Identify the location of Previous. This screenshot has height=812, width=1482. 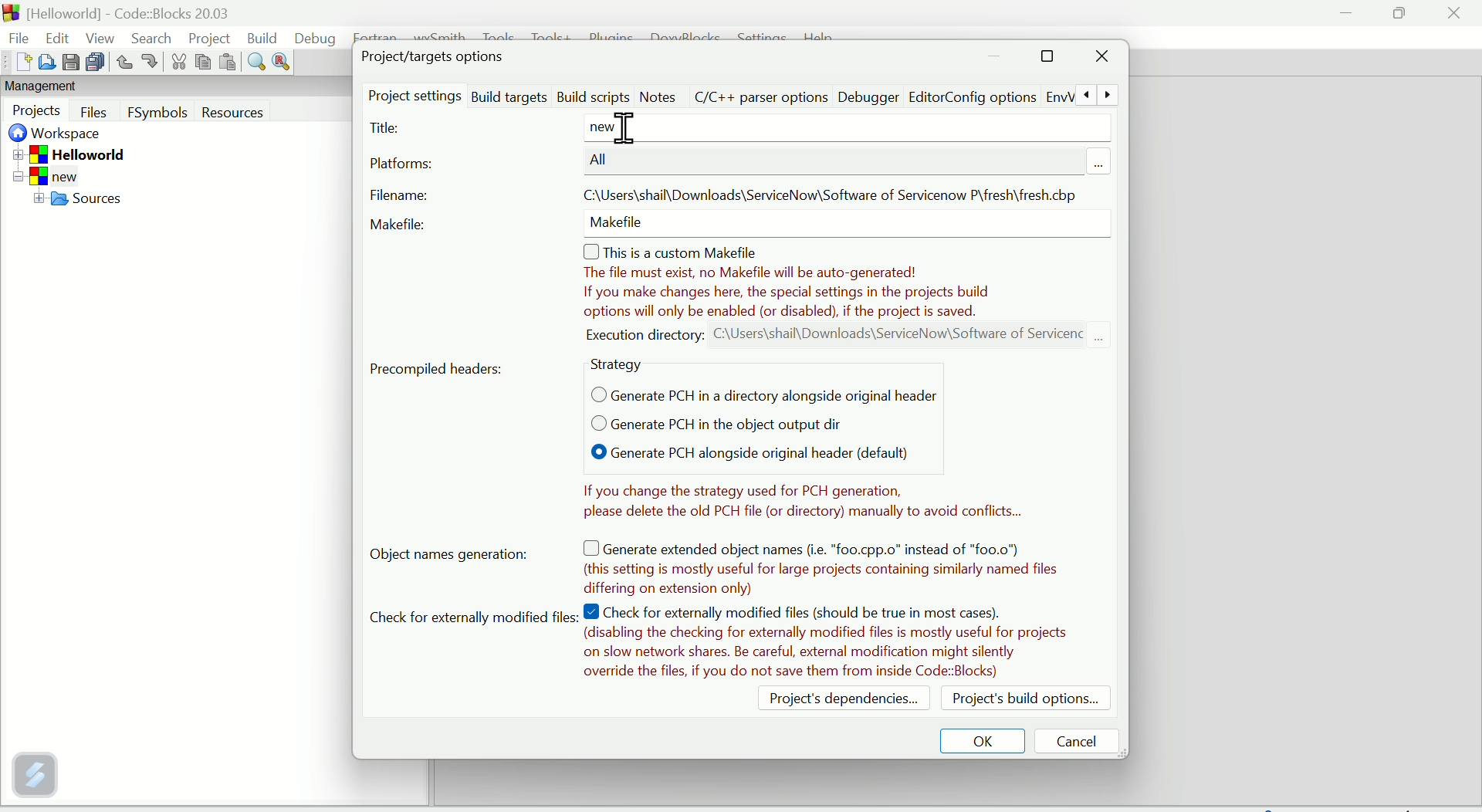
(1084, 94).